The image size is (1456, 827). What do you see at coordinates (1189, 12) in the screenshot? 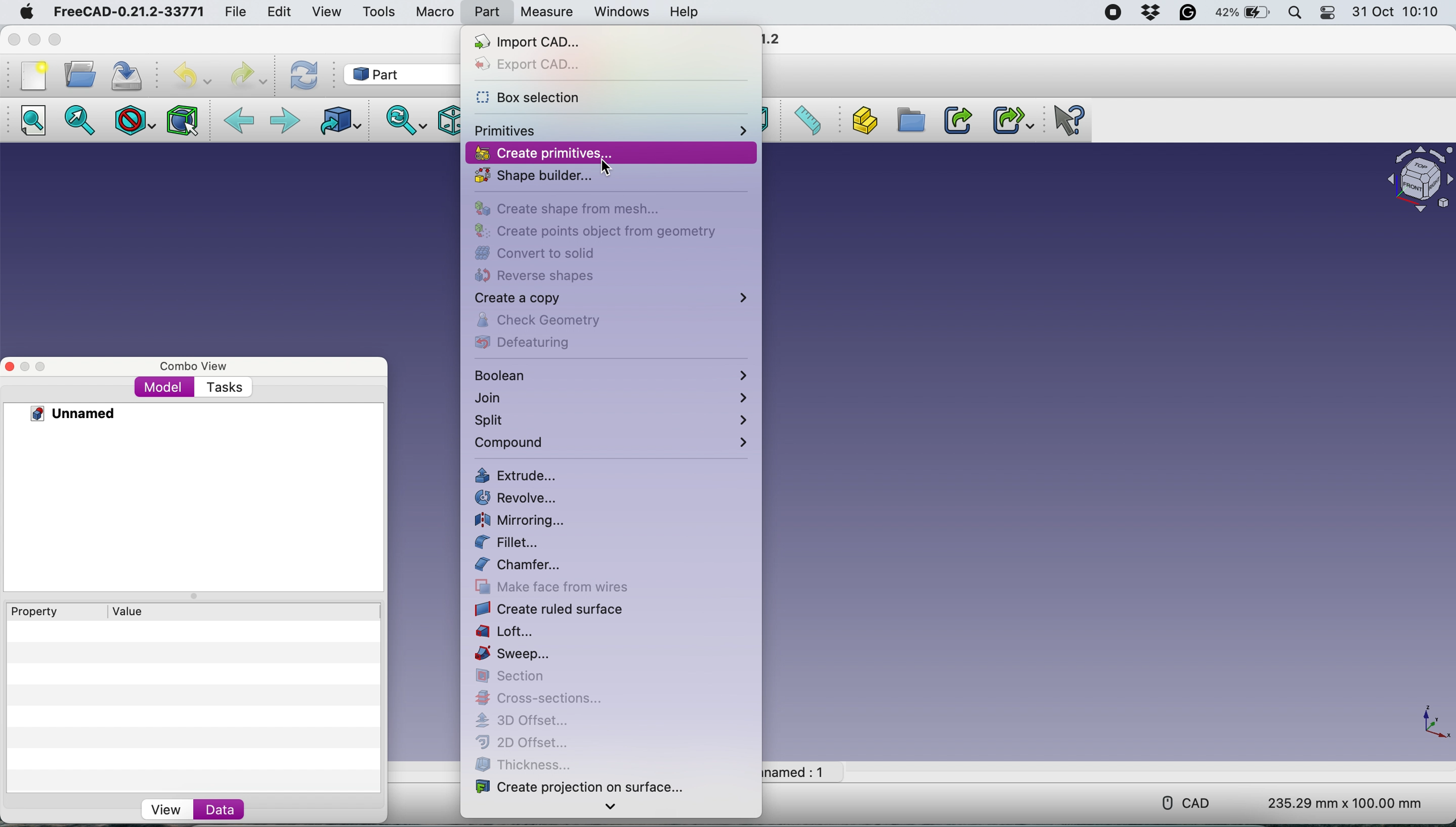
I see `Grammarly` at bounding box center [1189, 12].